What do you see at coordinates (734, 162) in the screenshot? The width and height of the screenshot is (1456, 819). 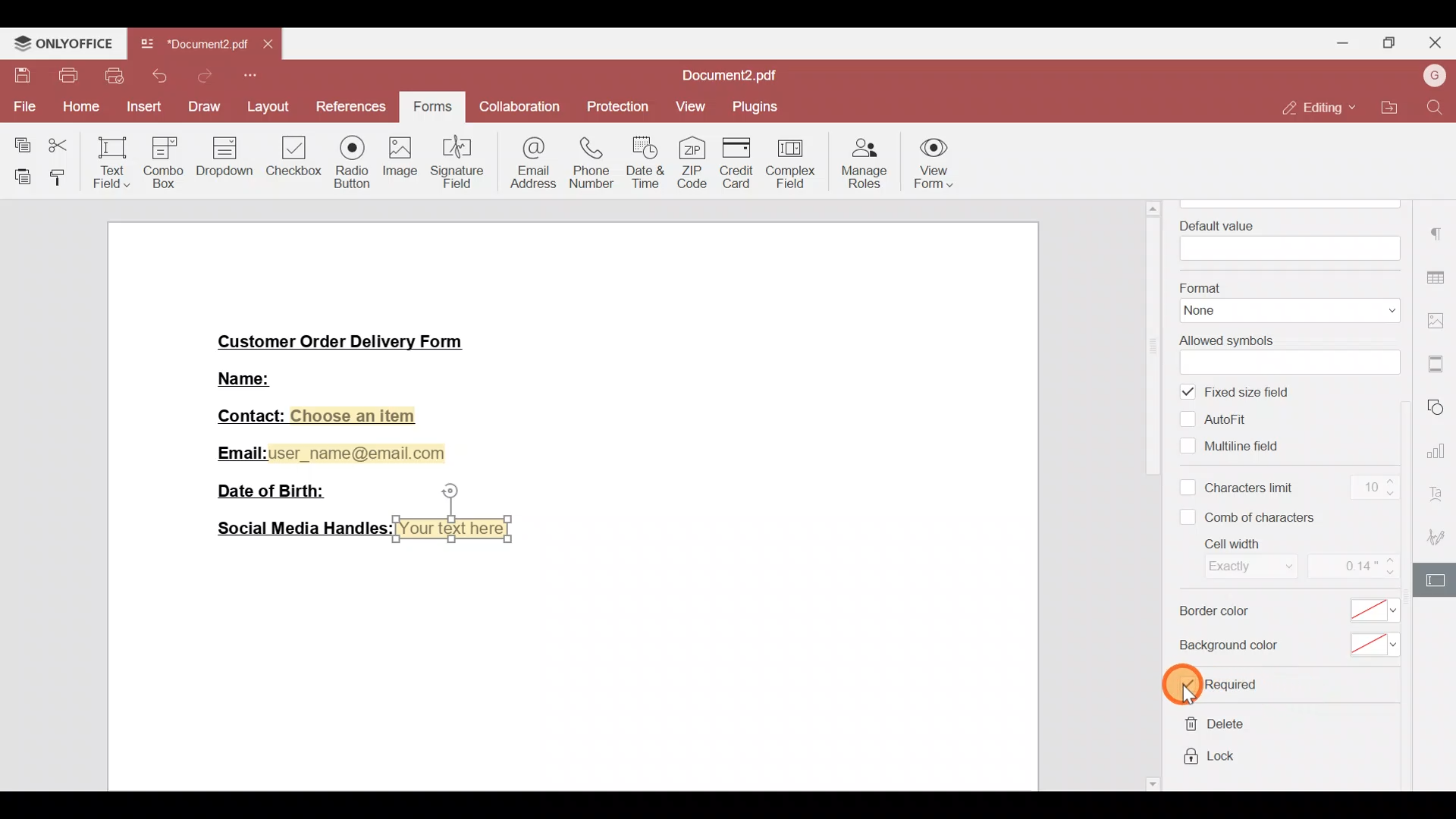 I see `Credit card` at bounding box center [734, 162].